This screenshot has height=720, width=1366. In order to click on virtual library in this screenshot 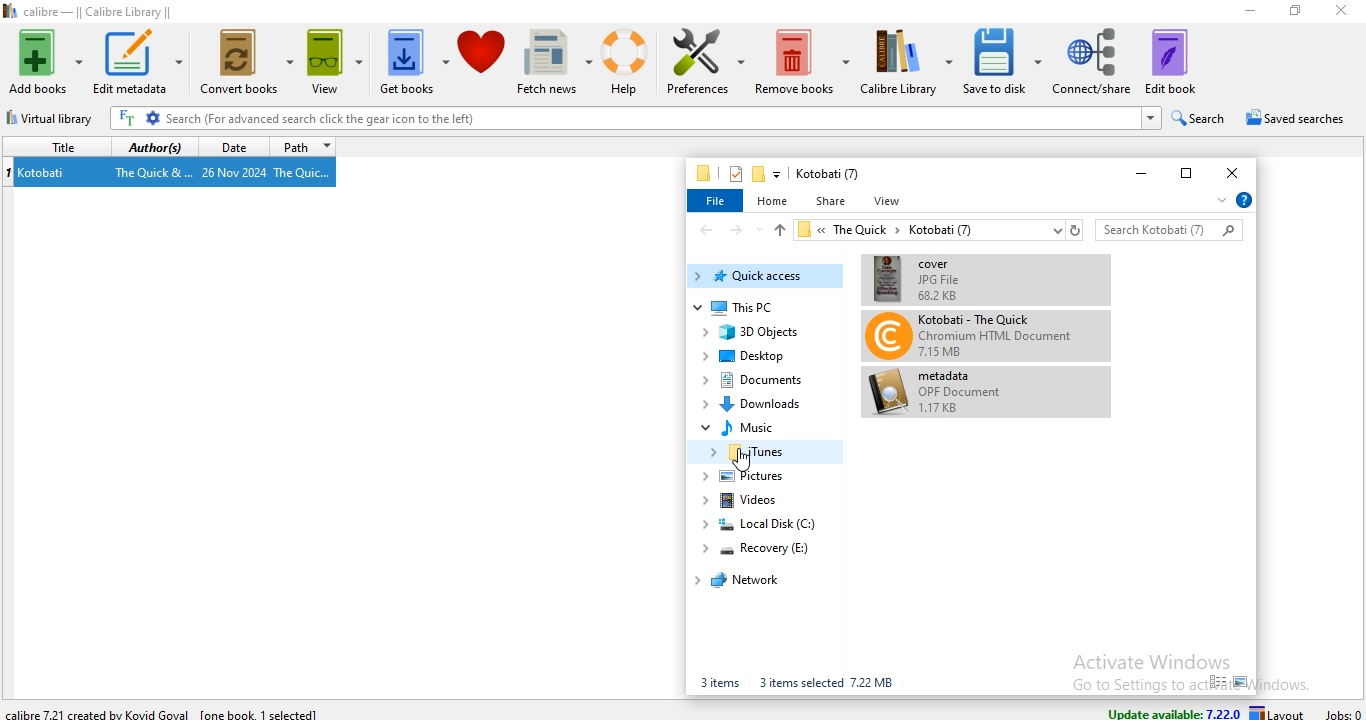, I will do `click(54, 121)`.